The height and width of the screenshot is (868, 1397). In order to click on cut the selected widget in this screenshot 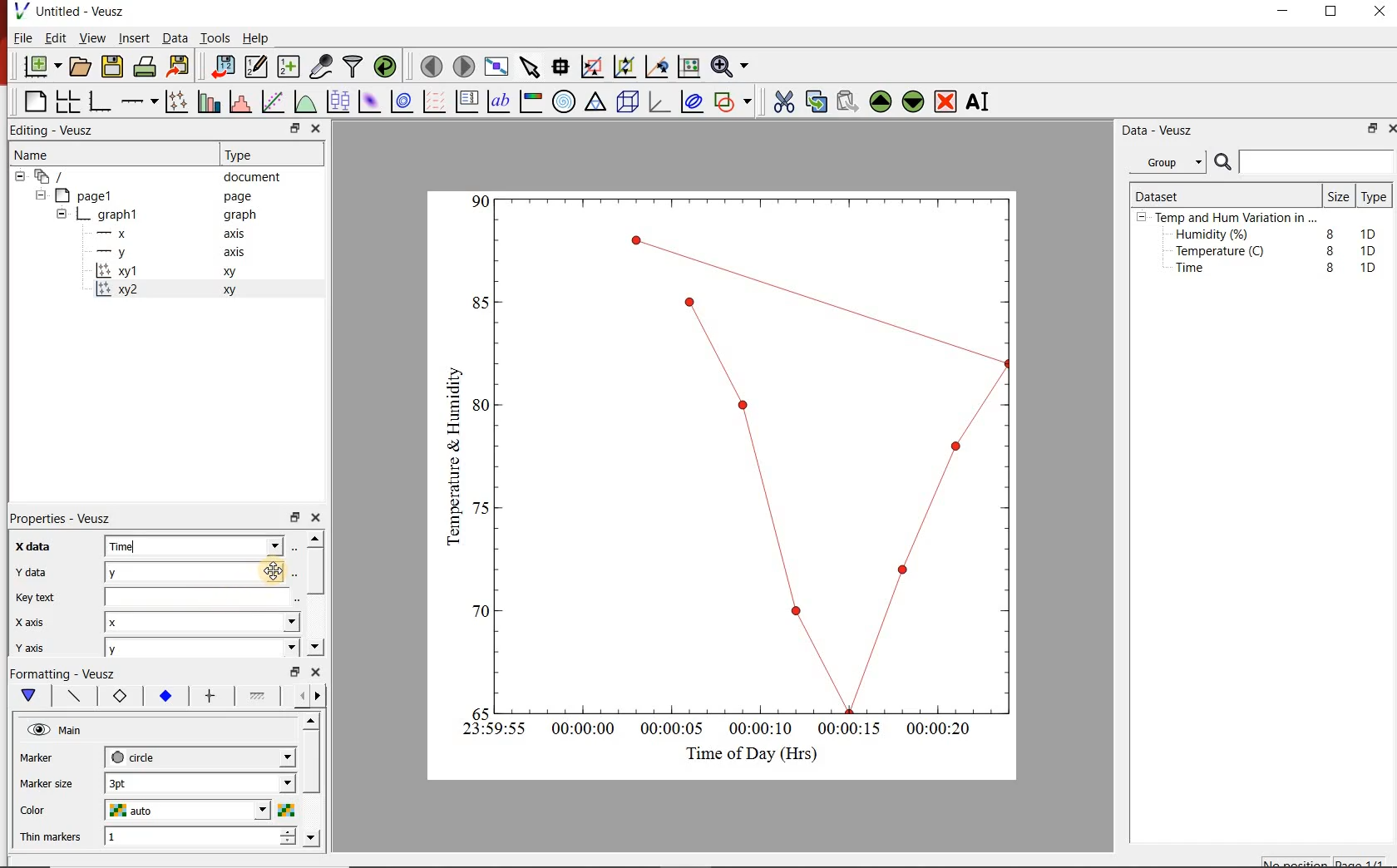, I will do `click(782, 100)`.